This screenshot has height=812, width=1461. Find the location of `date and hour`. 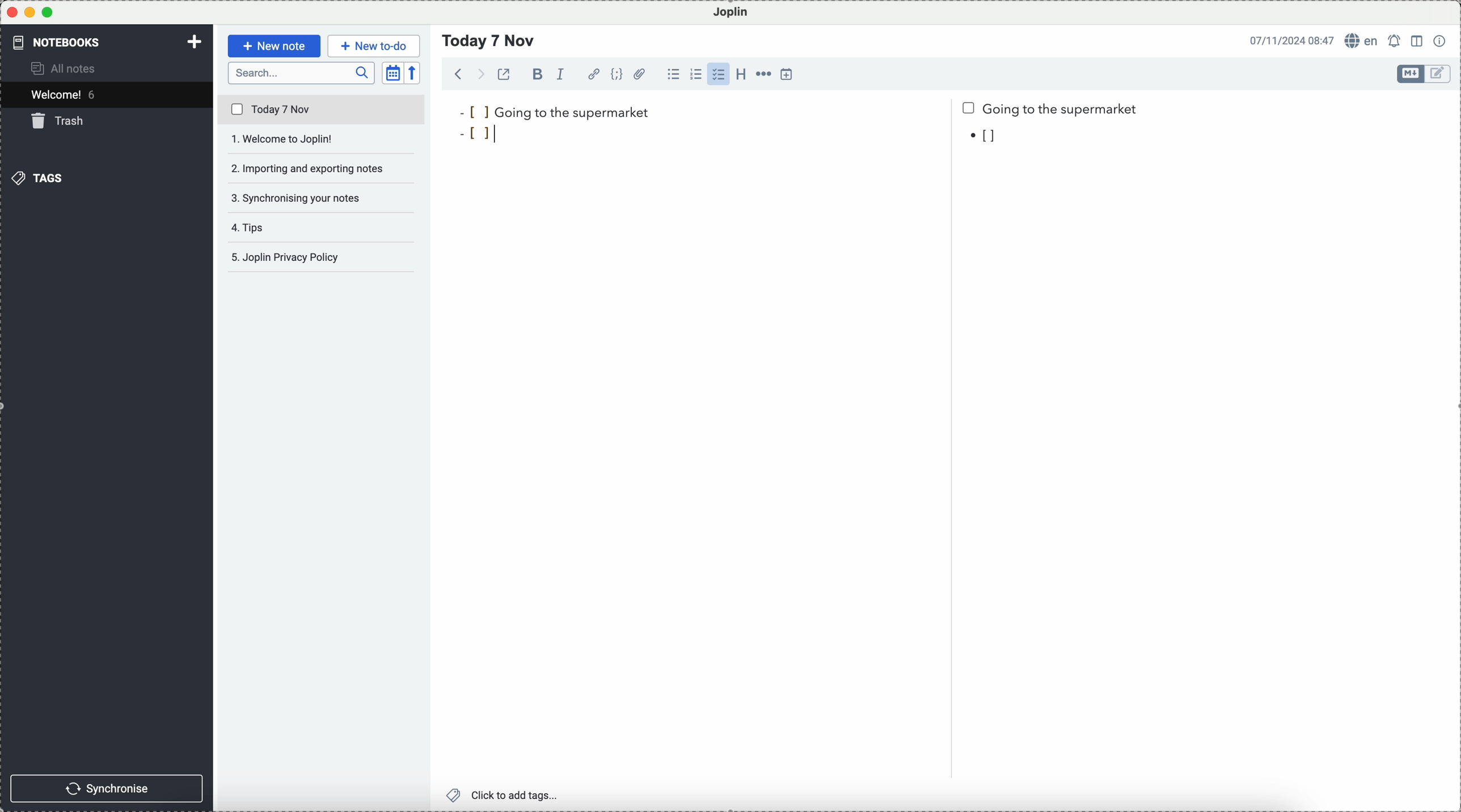

date and hour is located at coordinates (1292, 40).